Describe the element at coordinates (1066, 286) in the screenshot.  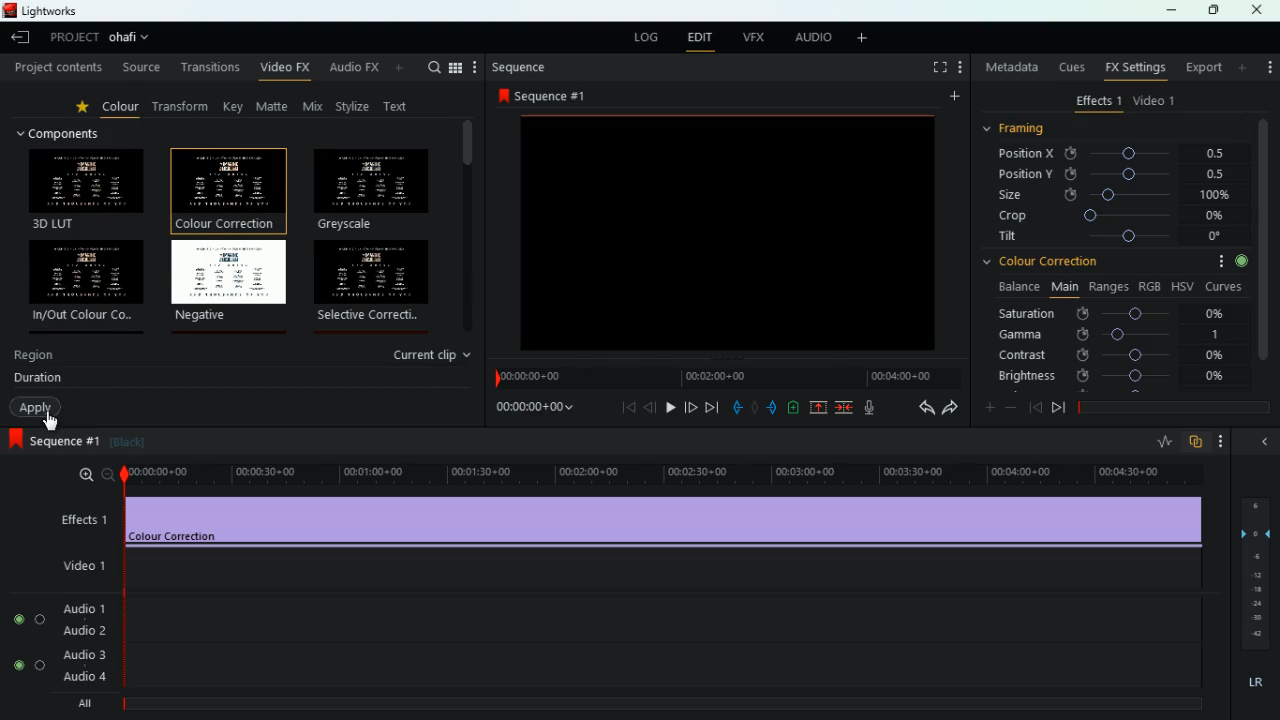
I see `main` at that location.